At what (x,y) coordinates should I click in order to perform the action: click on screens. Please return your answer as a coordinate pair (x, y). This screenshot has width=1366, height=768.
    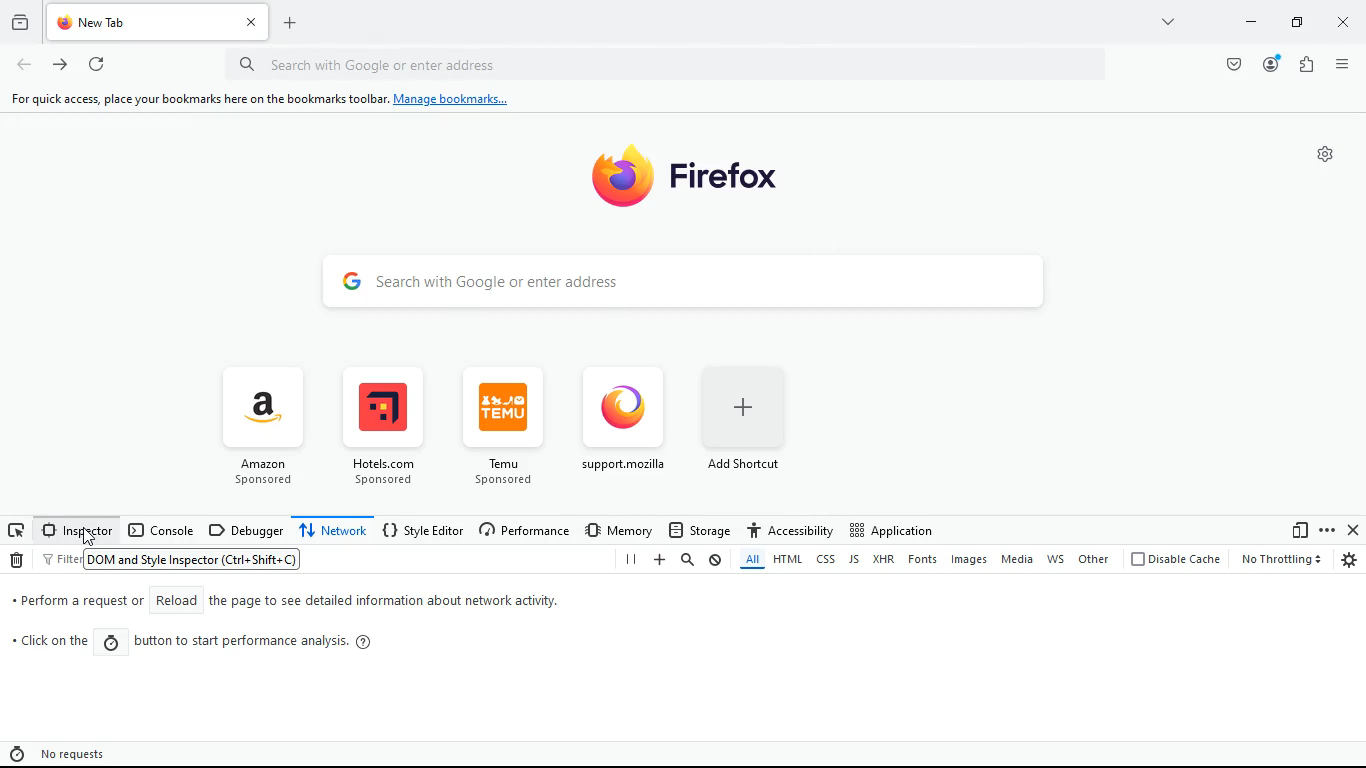
    Looking at the image, I should click on (1299, 531).